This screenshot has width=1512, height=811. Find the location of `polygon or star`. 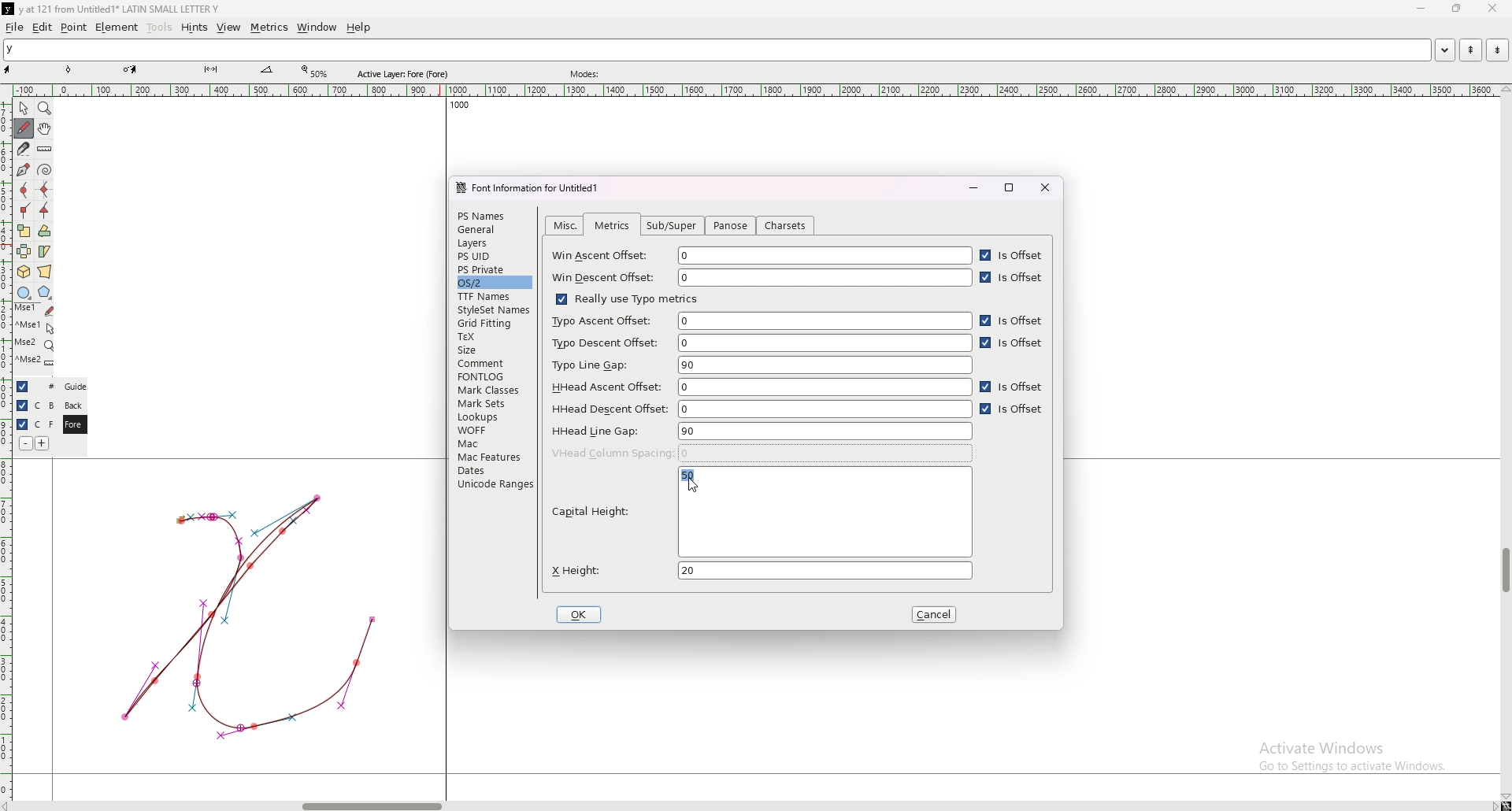

polygon or star is located at coordinates (45, 293).